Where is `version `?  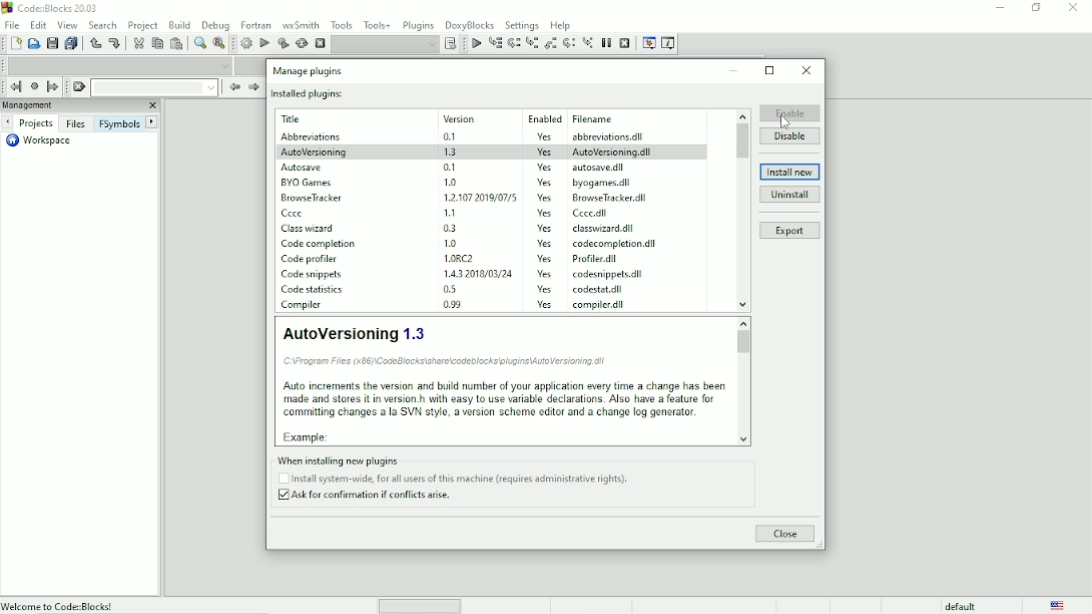 version  is located at coordinates (448, 242).